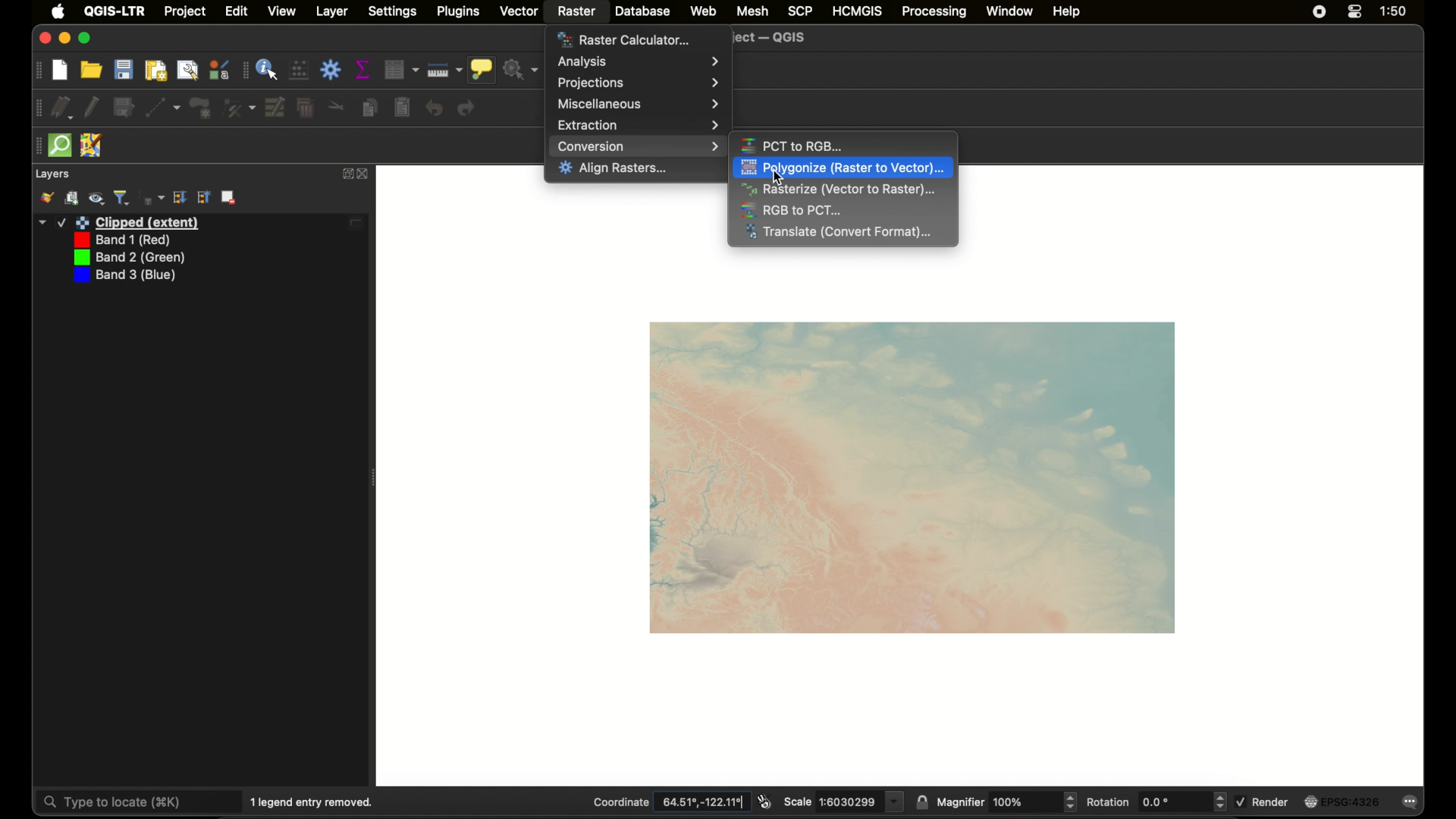  What do you see at coordinates (332, 12) in the screenshot?
I see `layer` at bounding box center [332, 12].